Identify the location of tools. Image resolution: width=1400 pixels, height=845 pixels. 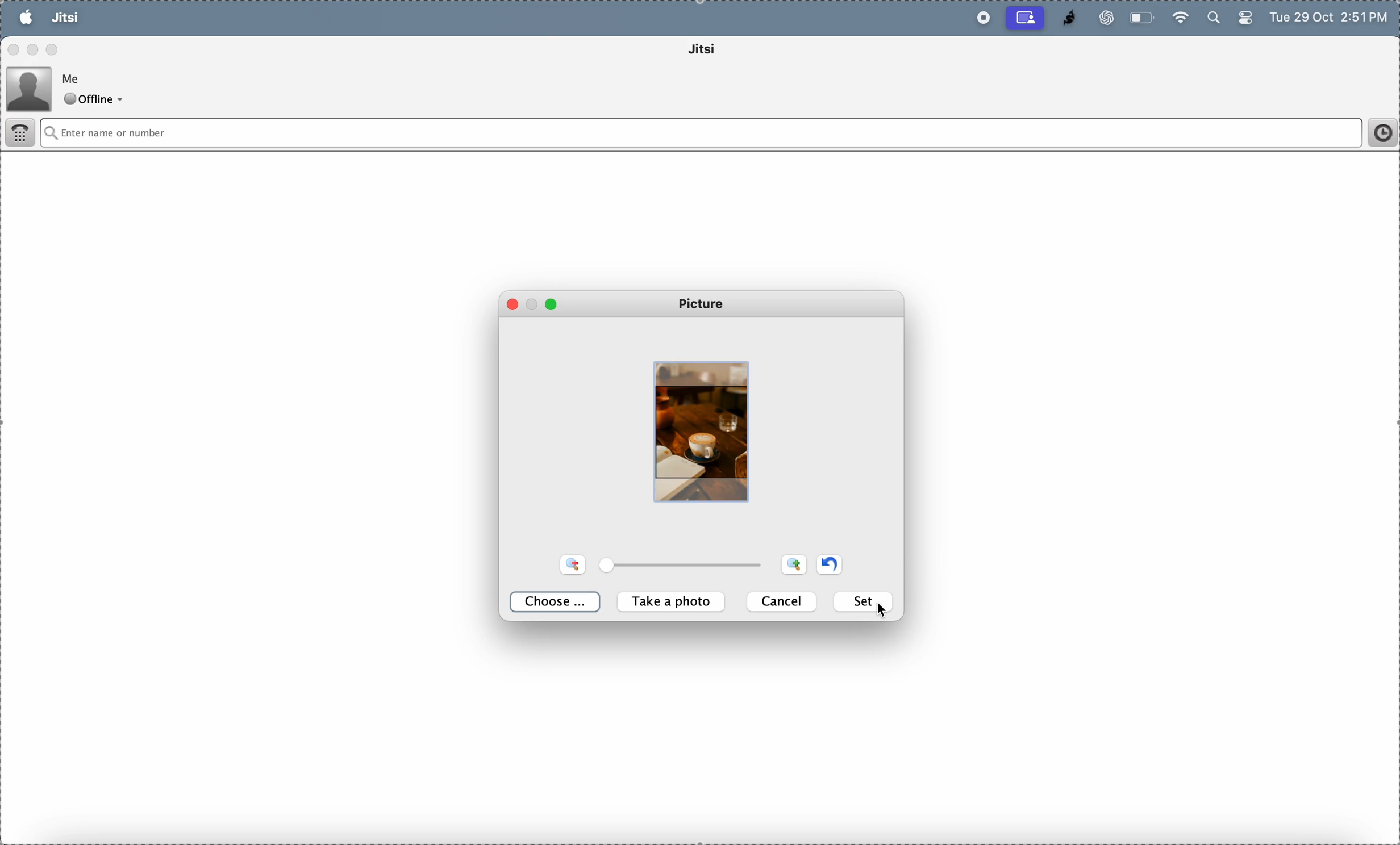
(154, 18).